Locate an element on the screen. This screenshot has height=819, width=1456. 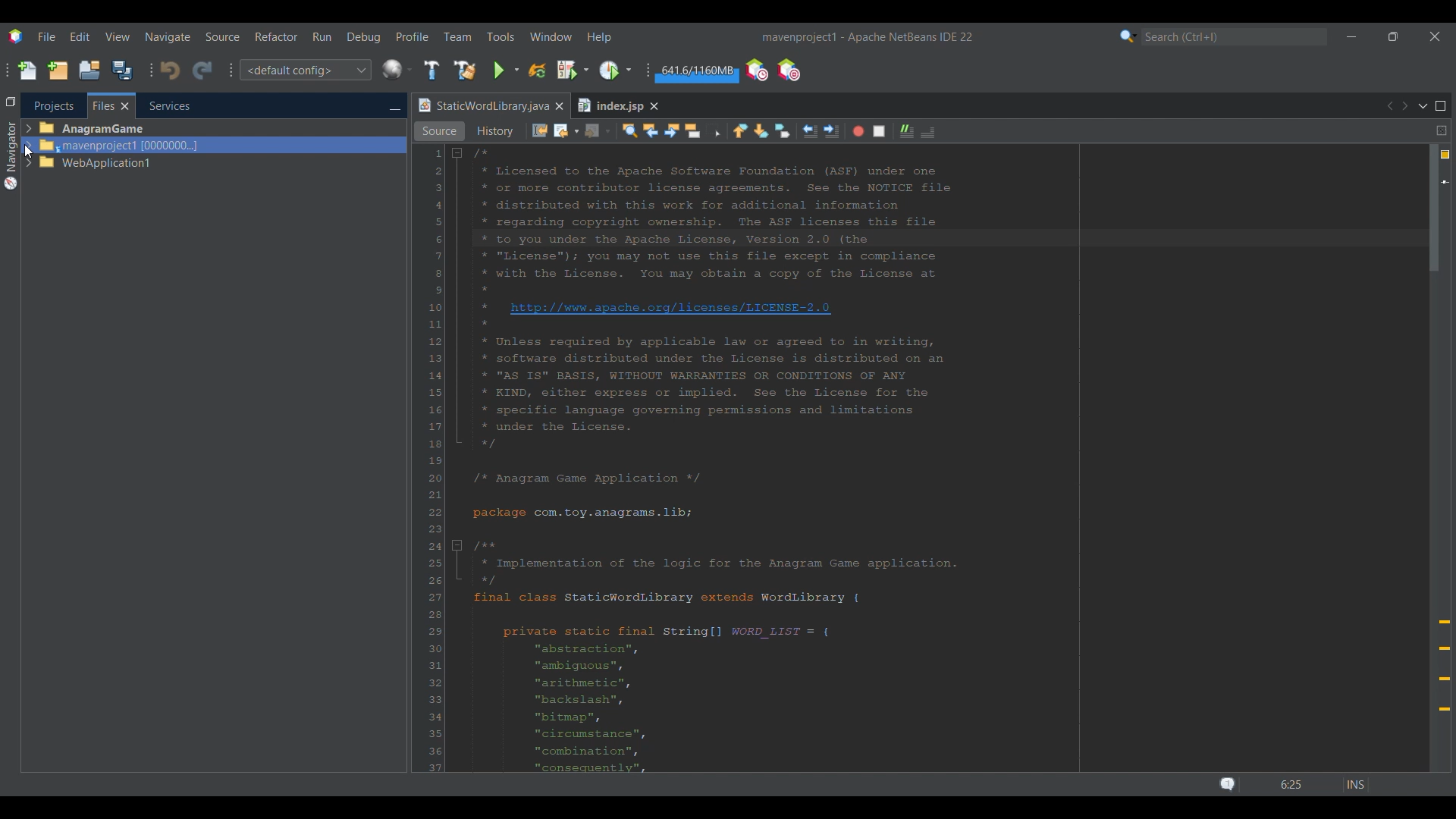
Back options is located at coordinates (566, 131).